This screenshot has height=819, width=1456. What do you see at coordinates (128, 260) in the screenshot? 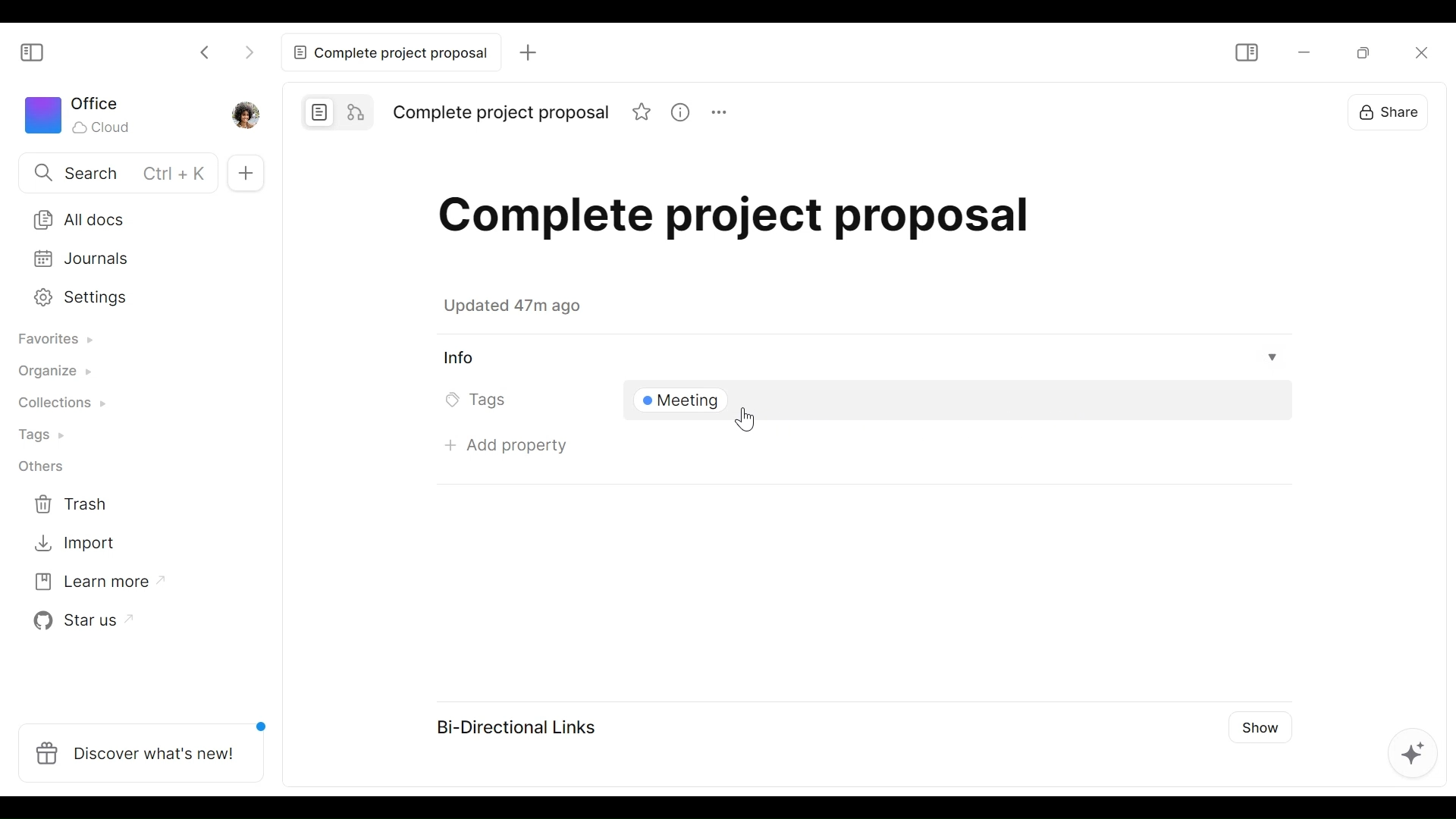
I see `Journal` at bounding box center [128, 260].